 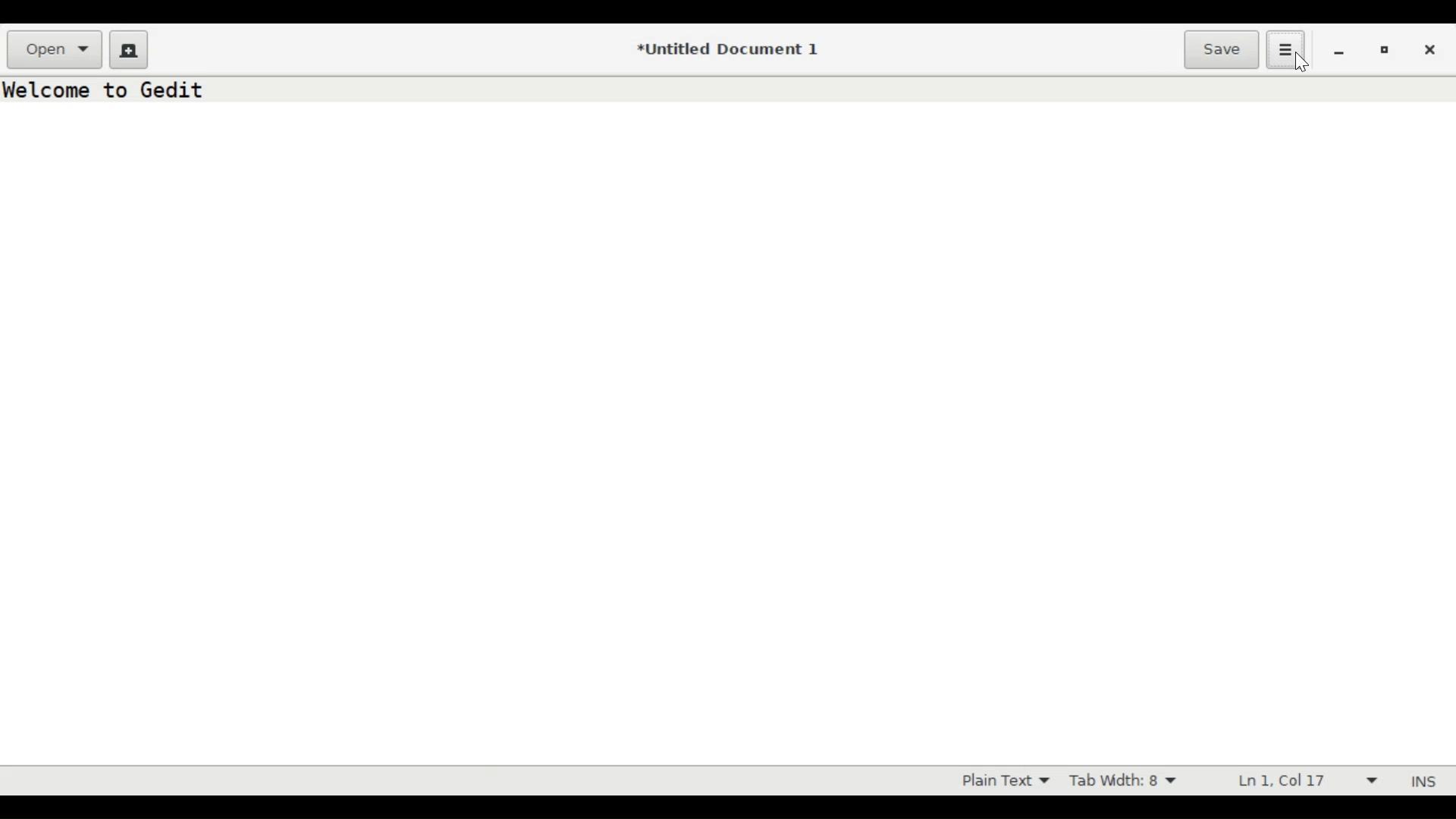 What do you see at coordinates (1304, 779) in the screenshot?
I see `Line & Column Preference` at bounding box center [1304, 779].